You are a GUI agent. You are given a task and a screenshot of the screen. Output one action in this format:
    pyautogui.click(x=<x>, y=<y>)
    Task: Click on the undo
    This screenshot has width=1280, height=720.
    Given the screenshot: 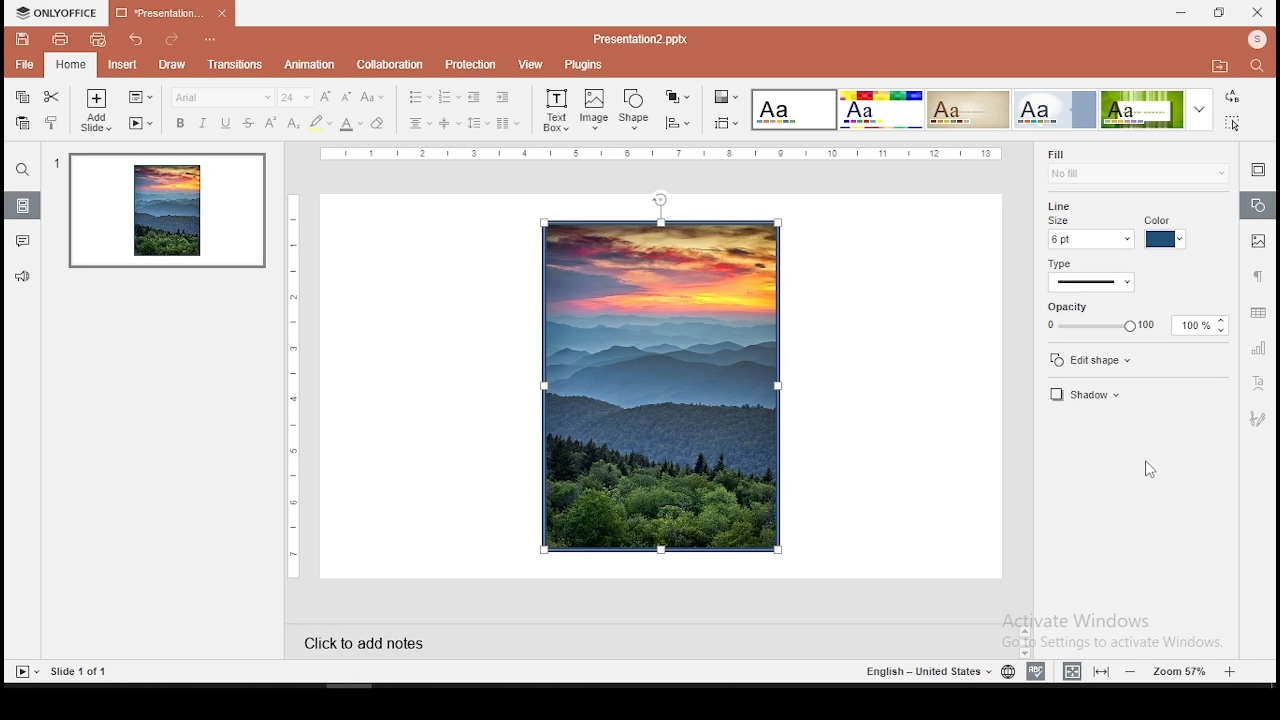 What is the action you would take?
    pyautogui.click(x=135, y=42)
    